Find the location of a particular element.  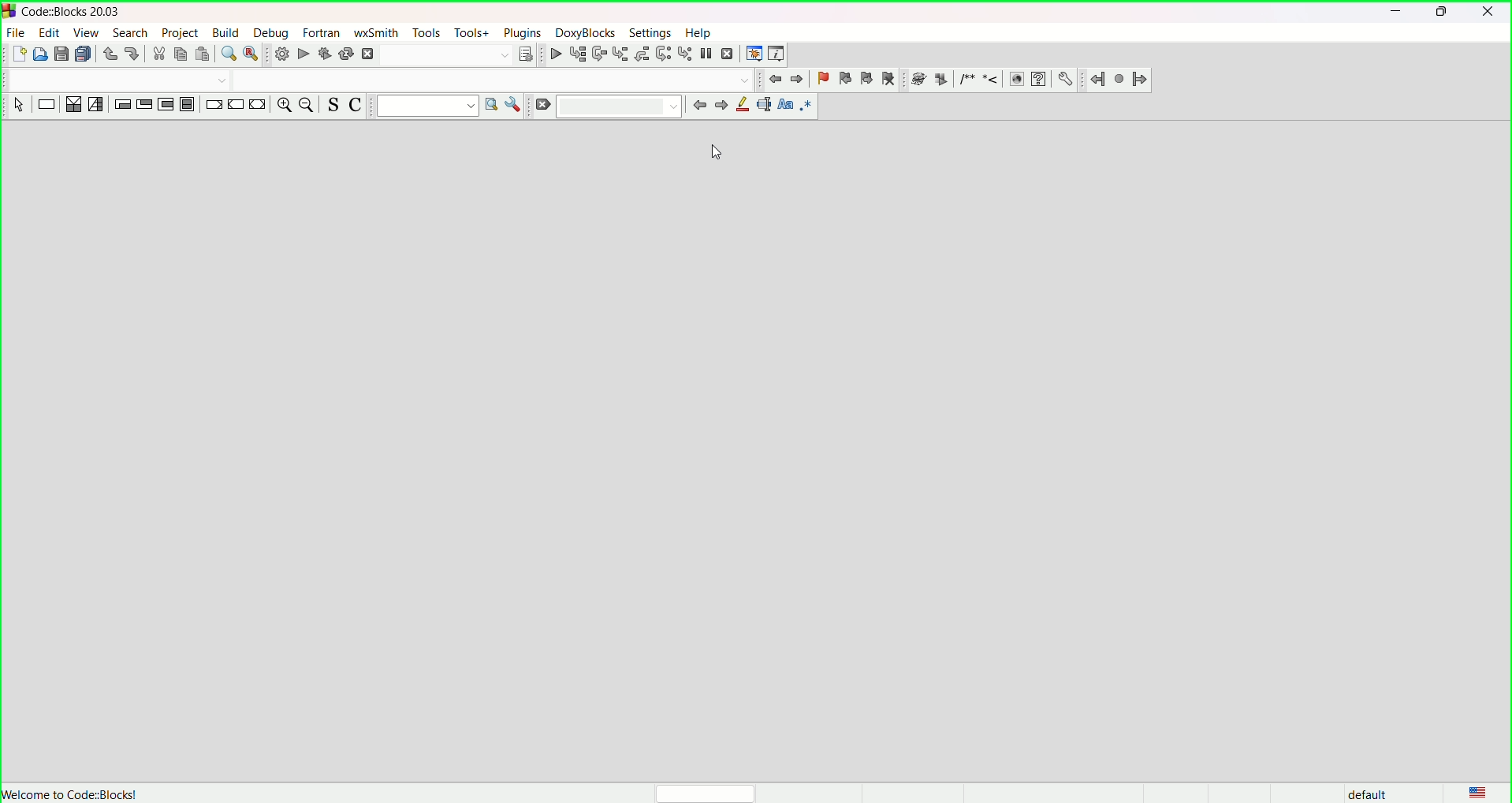

exit condition loop is located at coordinates (143, 104).